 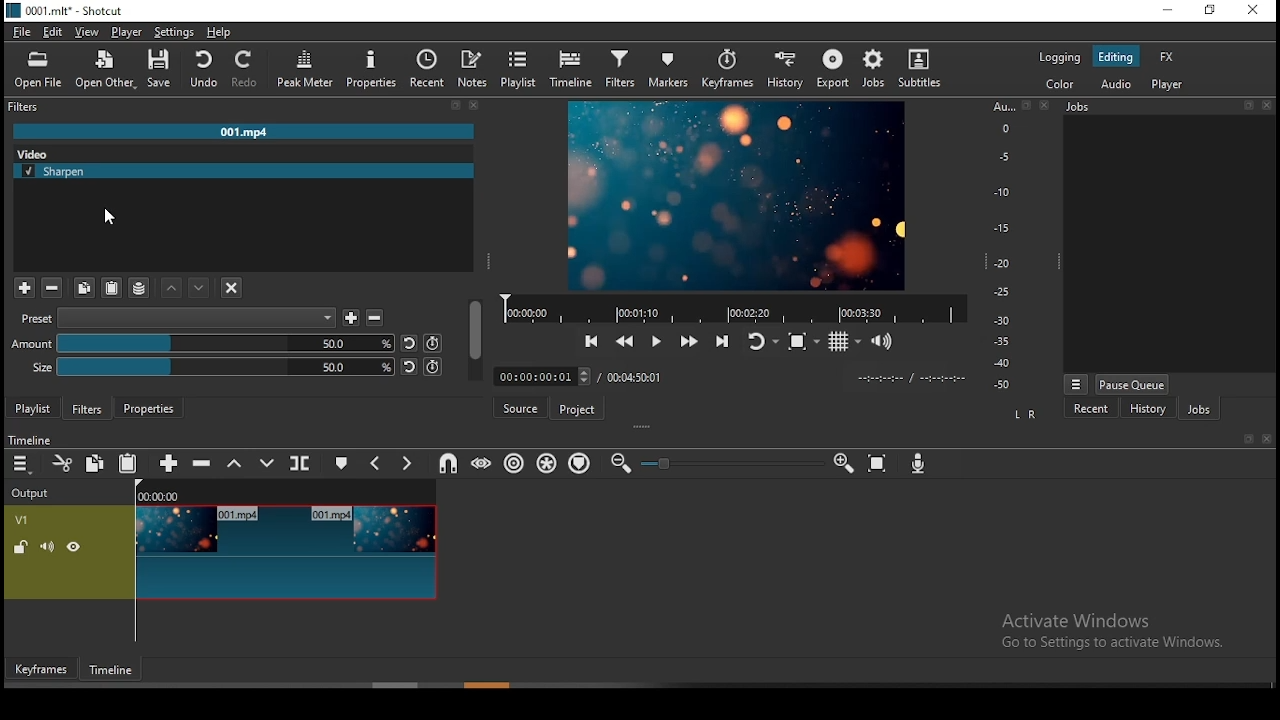 What do you see at coordinates (55, 32) in the screenshot?
I see `edit` at bounding box center [55, 32].